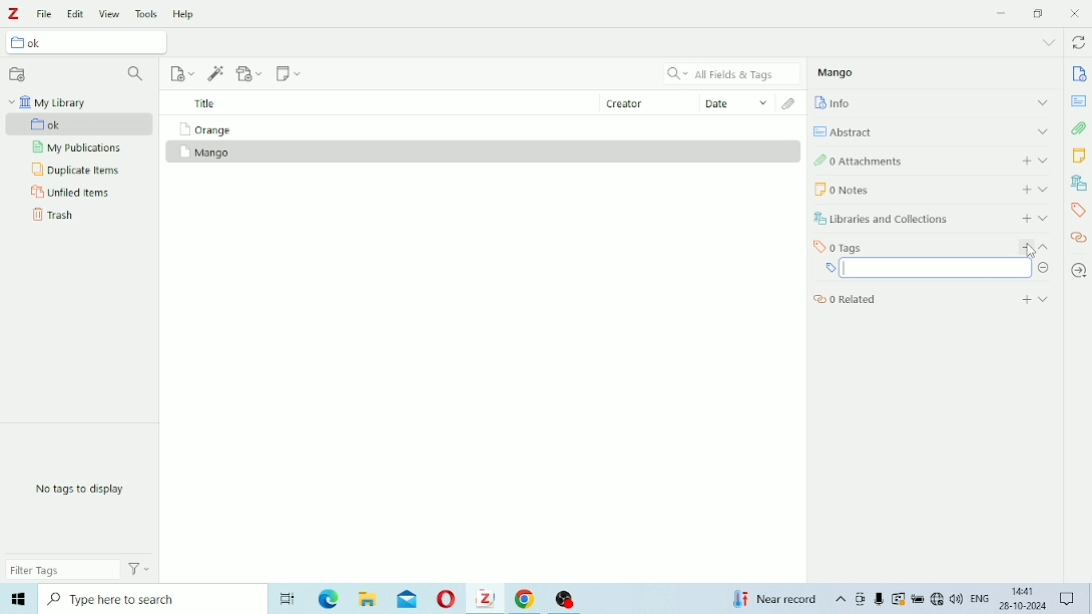 The width and height of the screenshot is (1092, 614). Describe the element at coordinates (1030, 251) in the screenshot. I see `Cursor` at that location.